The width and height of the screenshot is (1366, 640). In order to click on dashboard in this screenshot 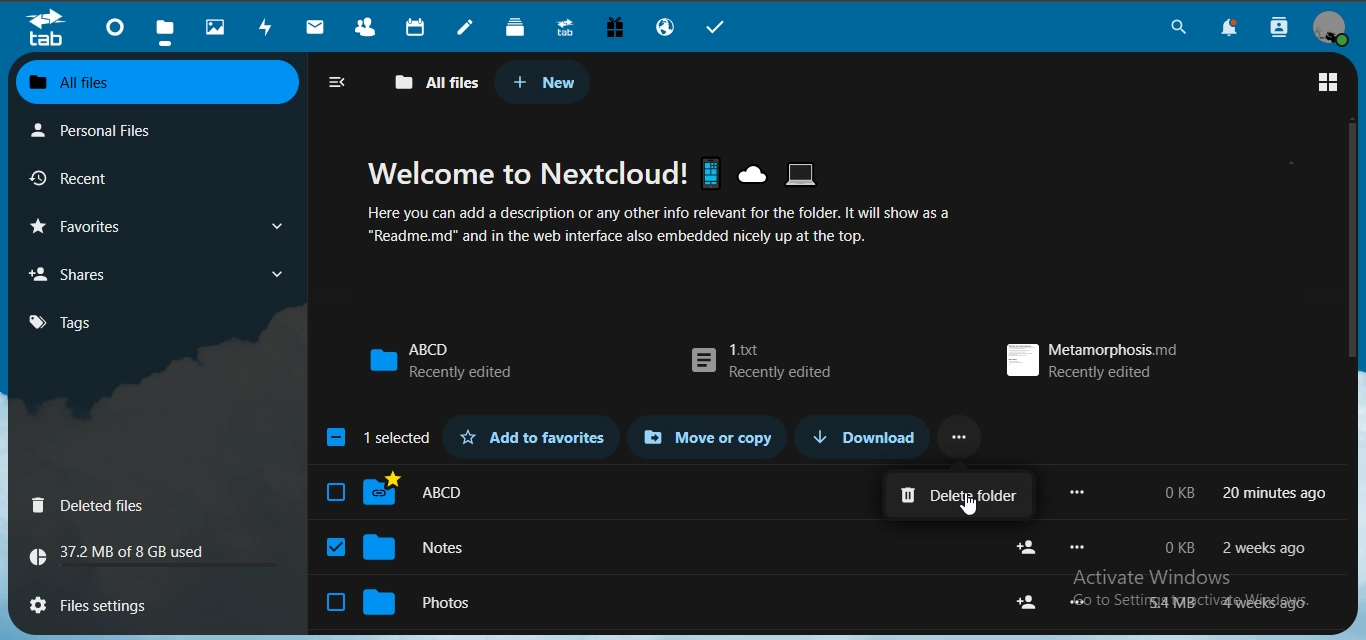, I will do `click(118, 27)`.